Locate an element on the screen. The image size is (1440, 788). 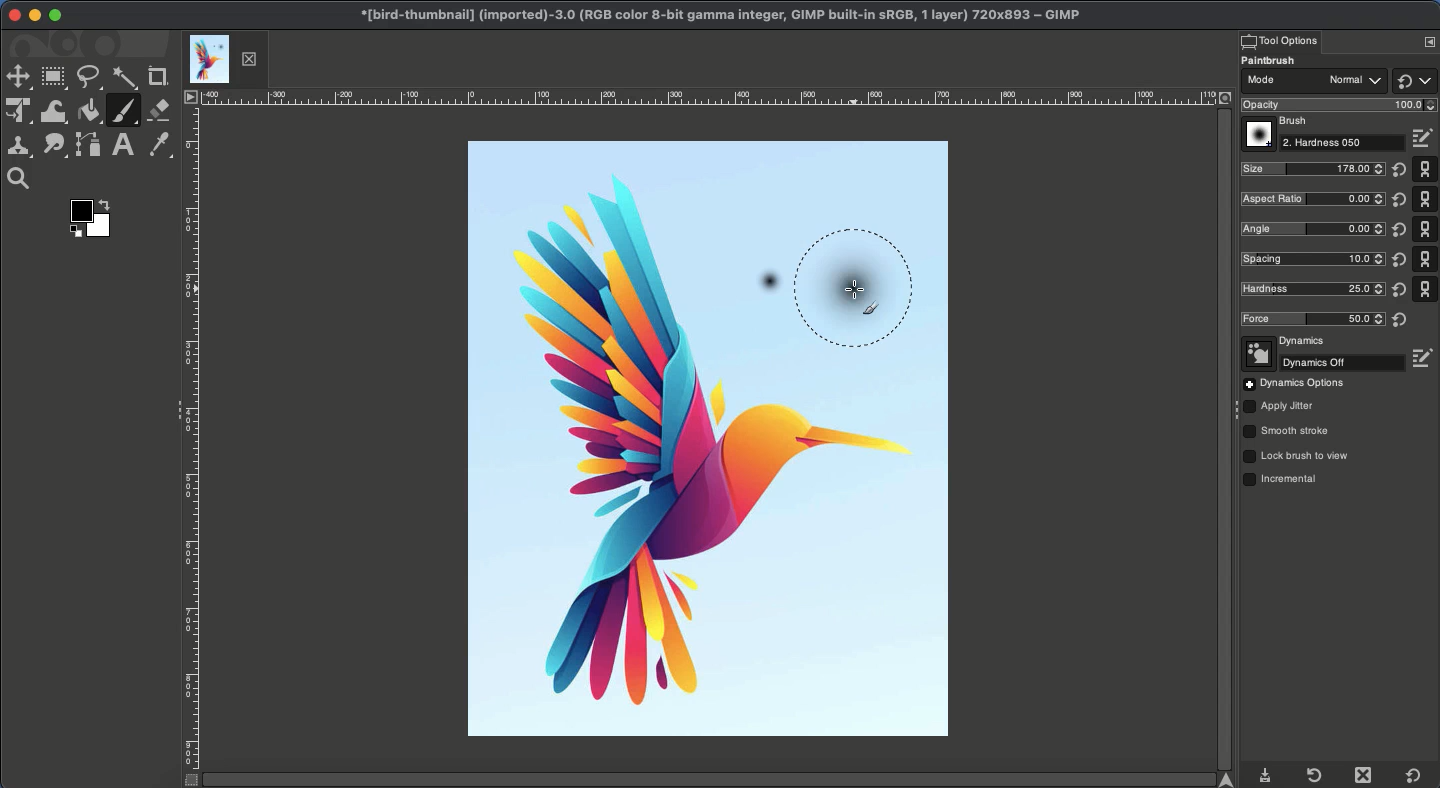
Default is located at coordinates (1426, 228).